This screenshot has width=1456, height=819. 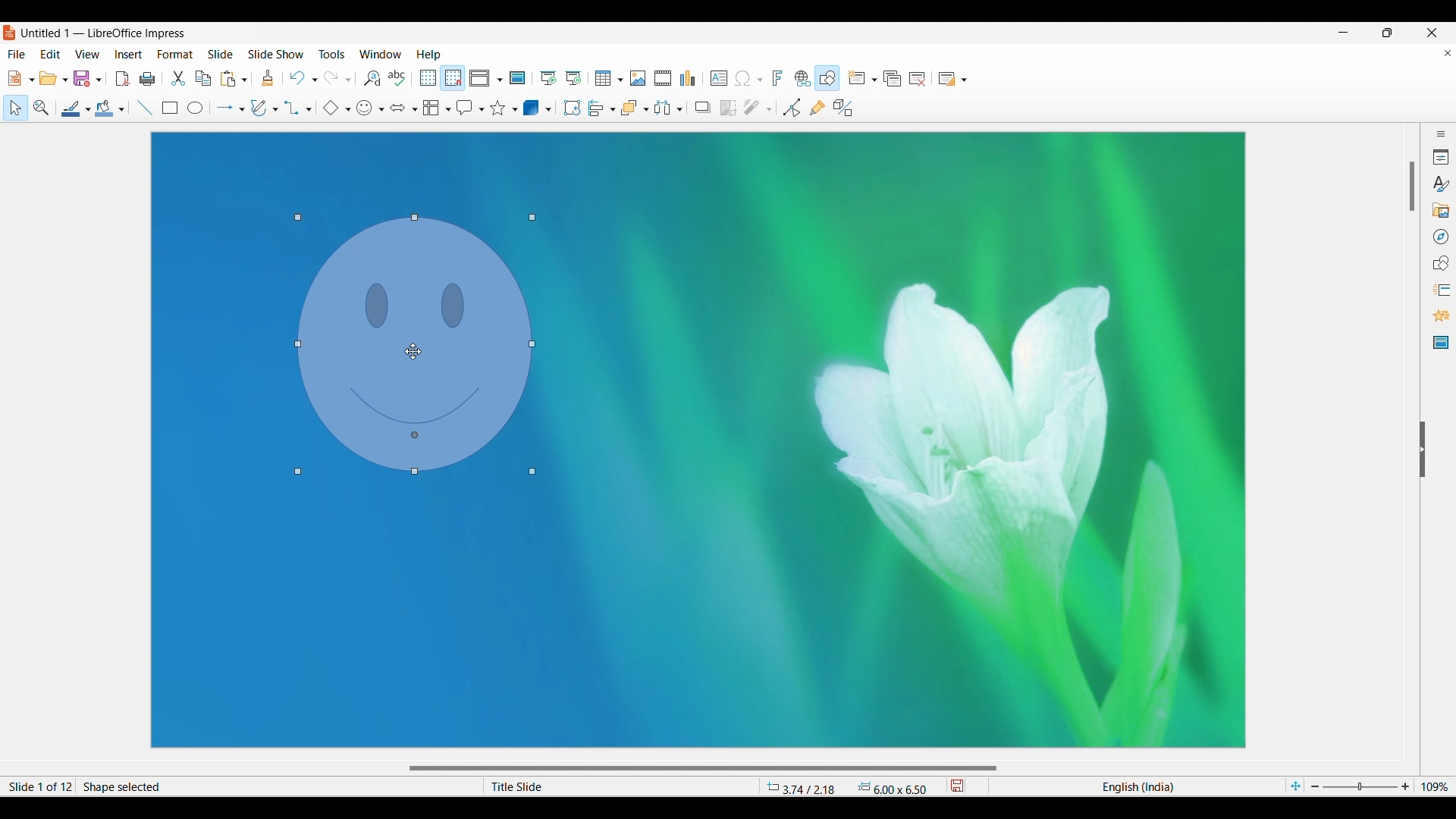 I want to click on Selected view, so click(x=479, y=78).